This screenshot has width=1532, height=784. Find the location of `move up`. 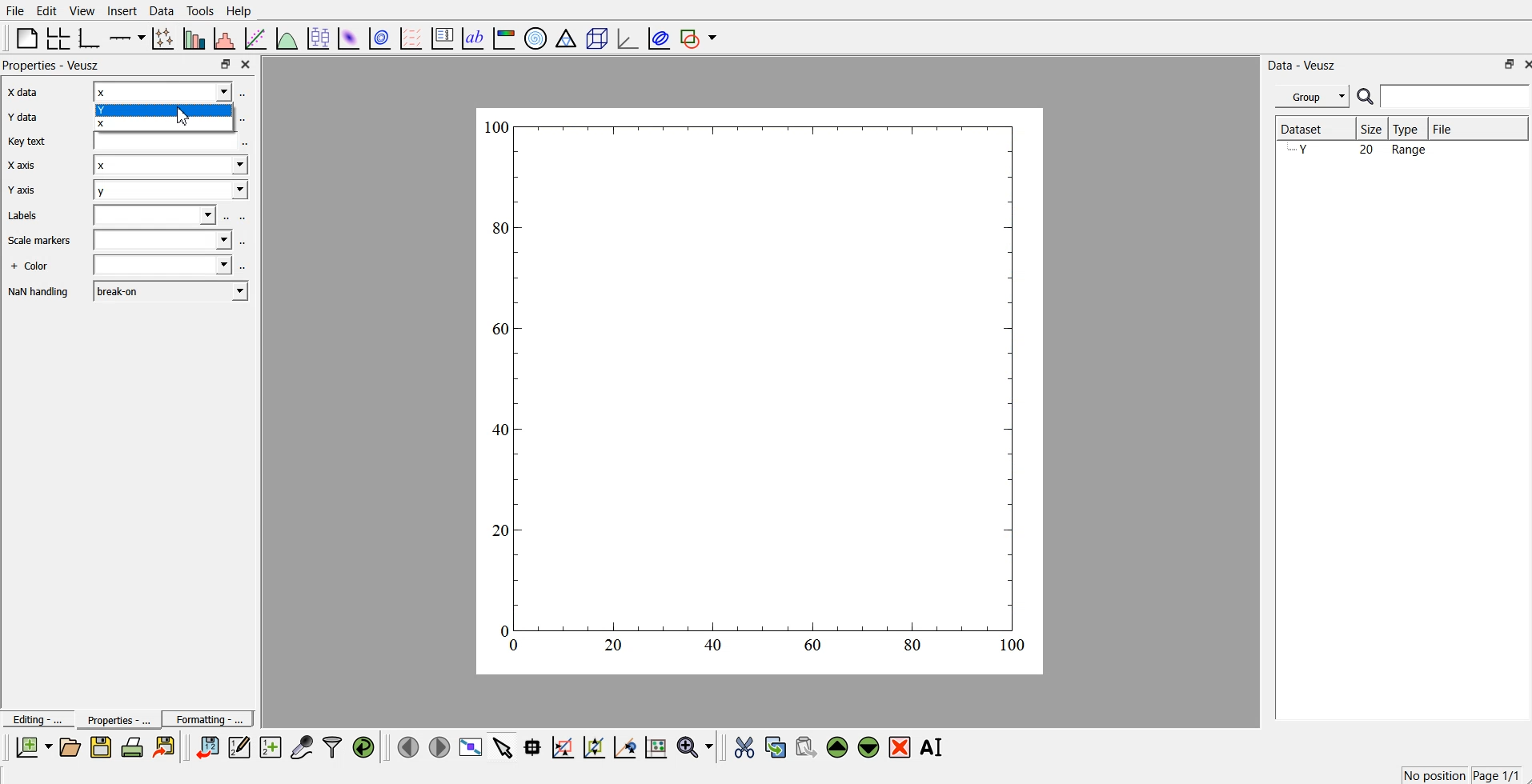

move up is located at coordinates (839, 746).